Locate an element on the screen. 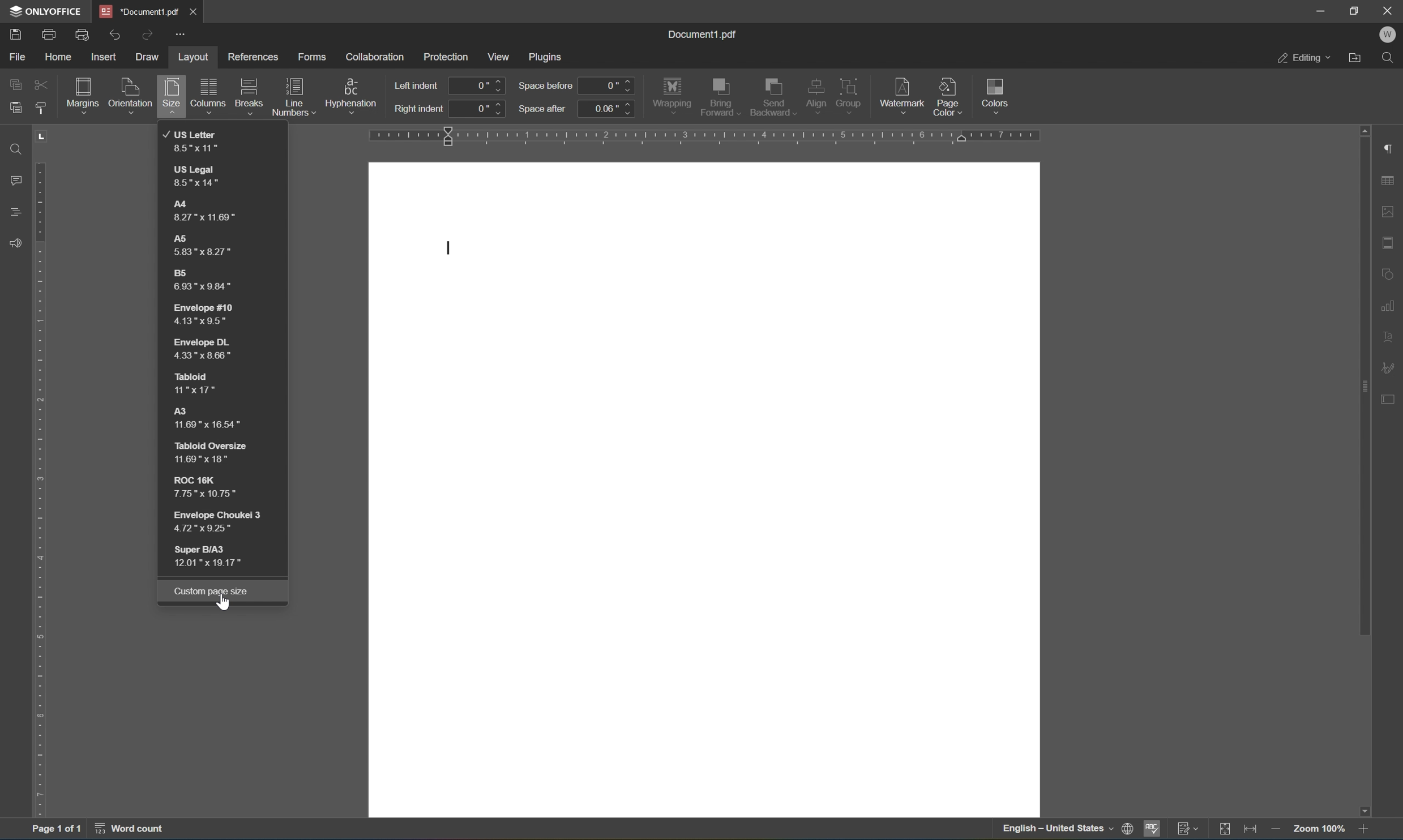  workspace is located at coordinates (705, 491).